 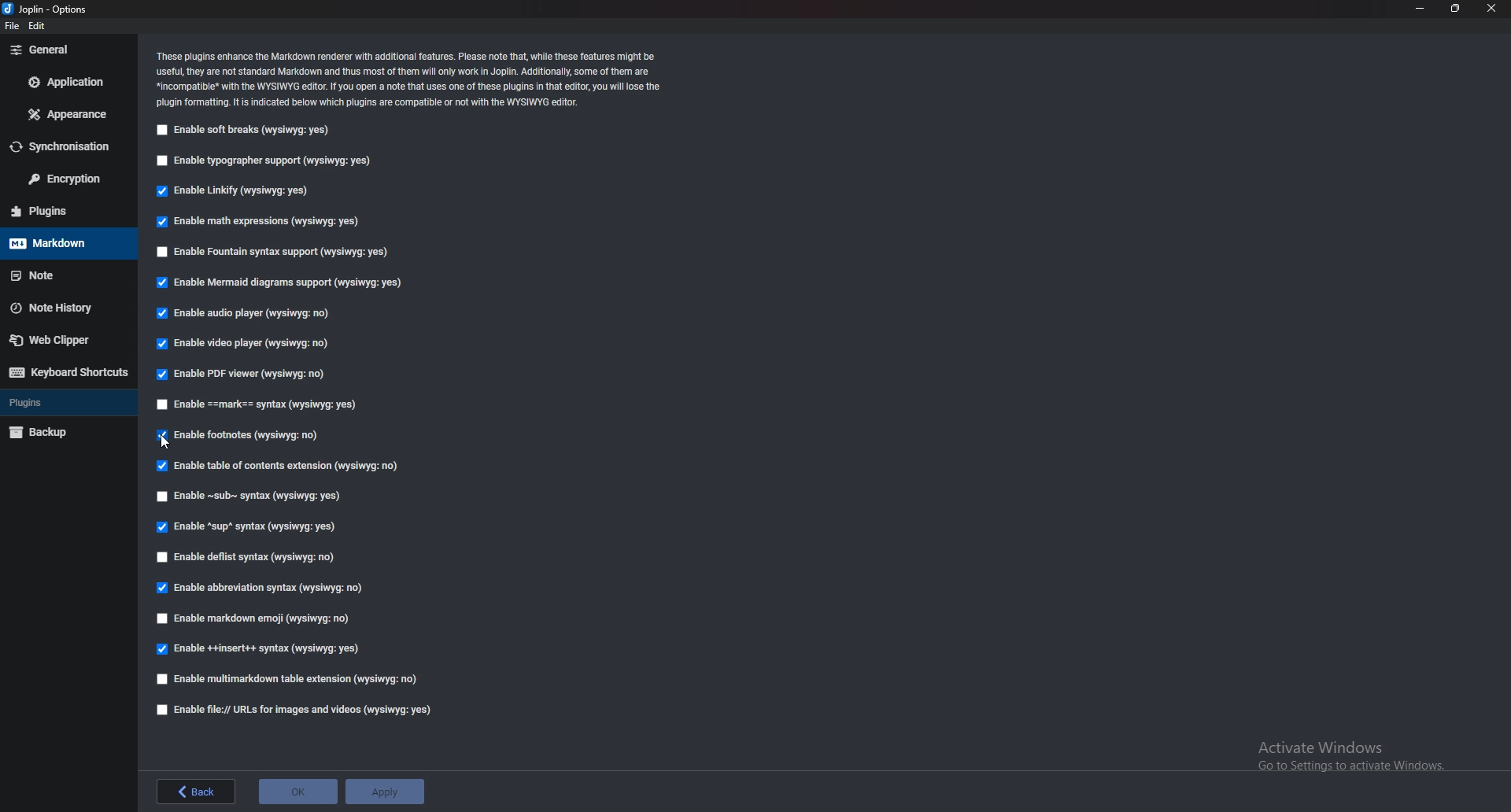 What do you see at coordinates (70, 80) in the screenshot?
I see `Application` at bounding box center [70, 80].